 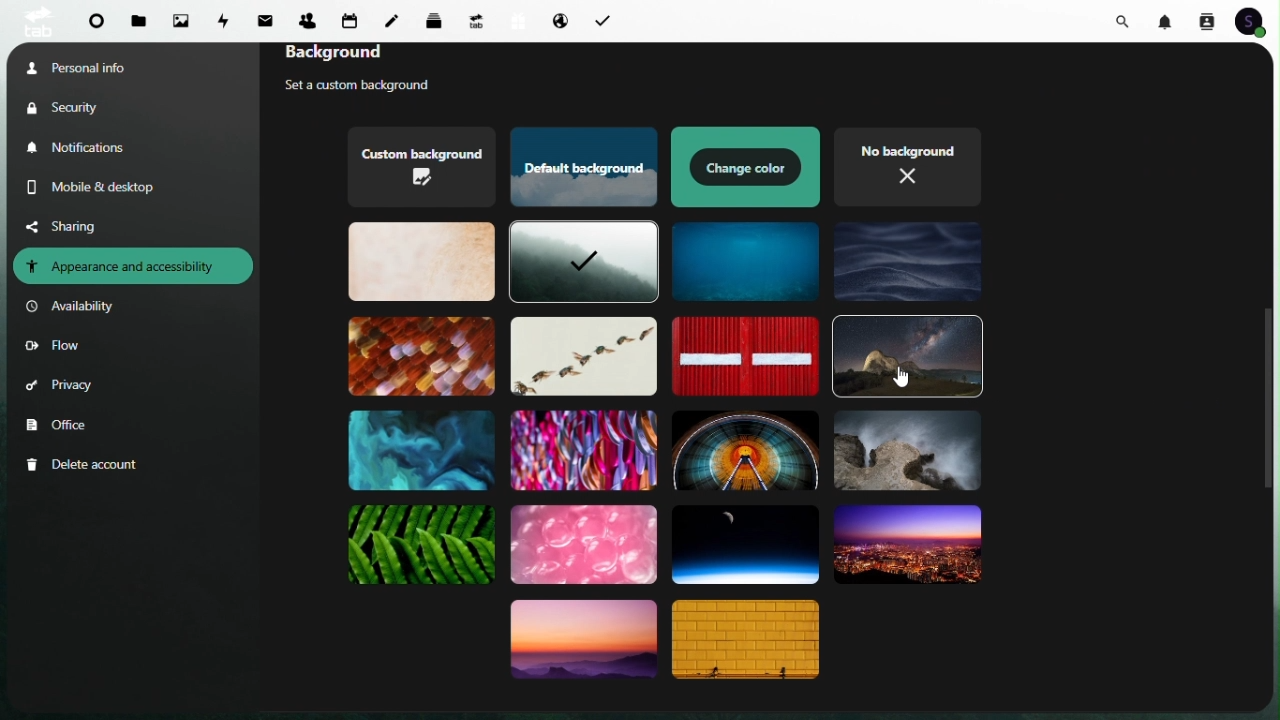 What do you see at coordinates (558, 22) in the screenshot?
I see `email hosting` at bounding box center [558, 22].